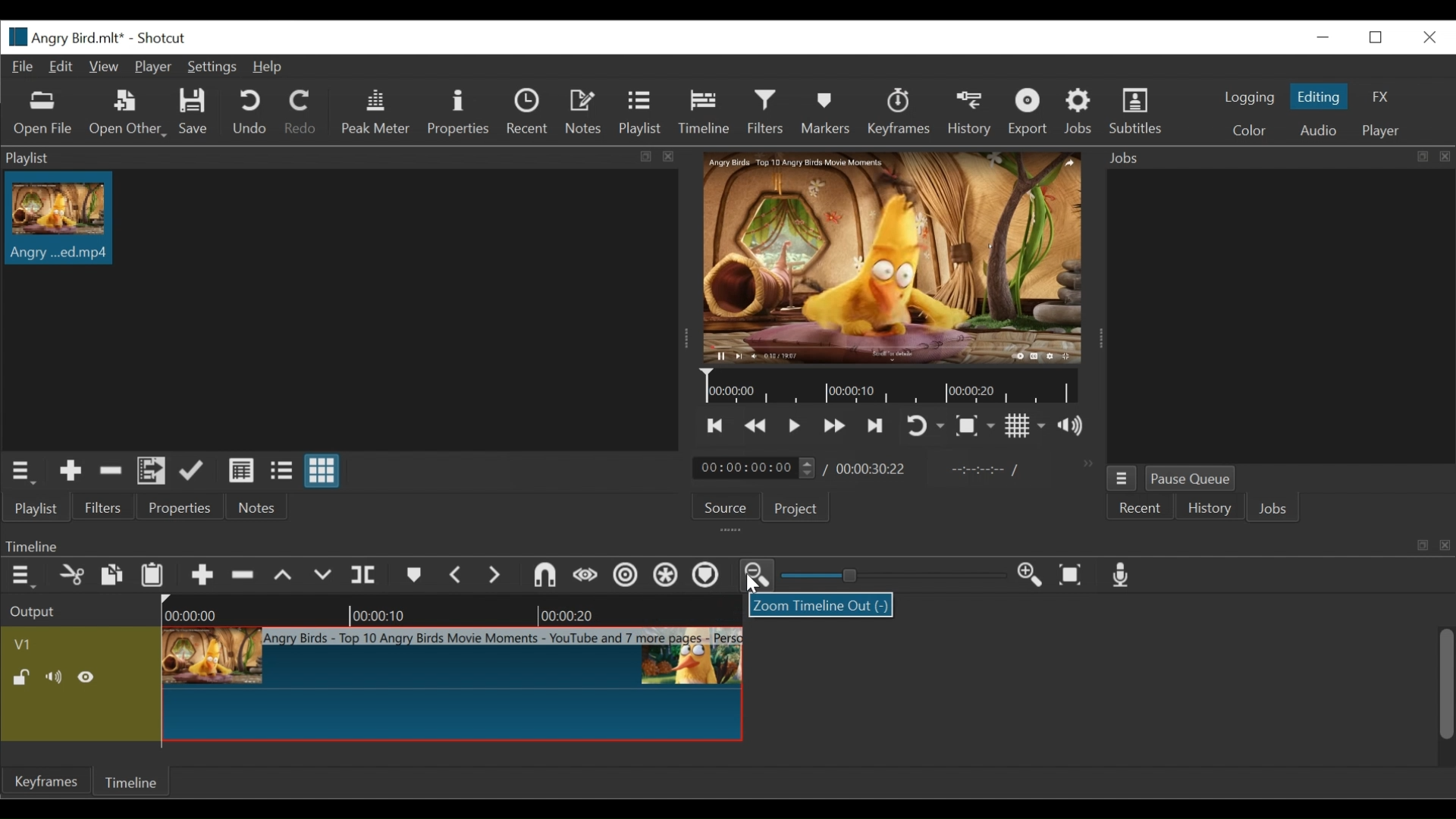  I want to click on Overwrite, so click(325, 575).